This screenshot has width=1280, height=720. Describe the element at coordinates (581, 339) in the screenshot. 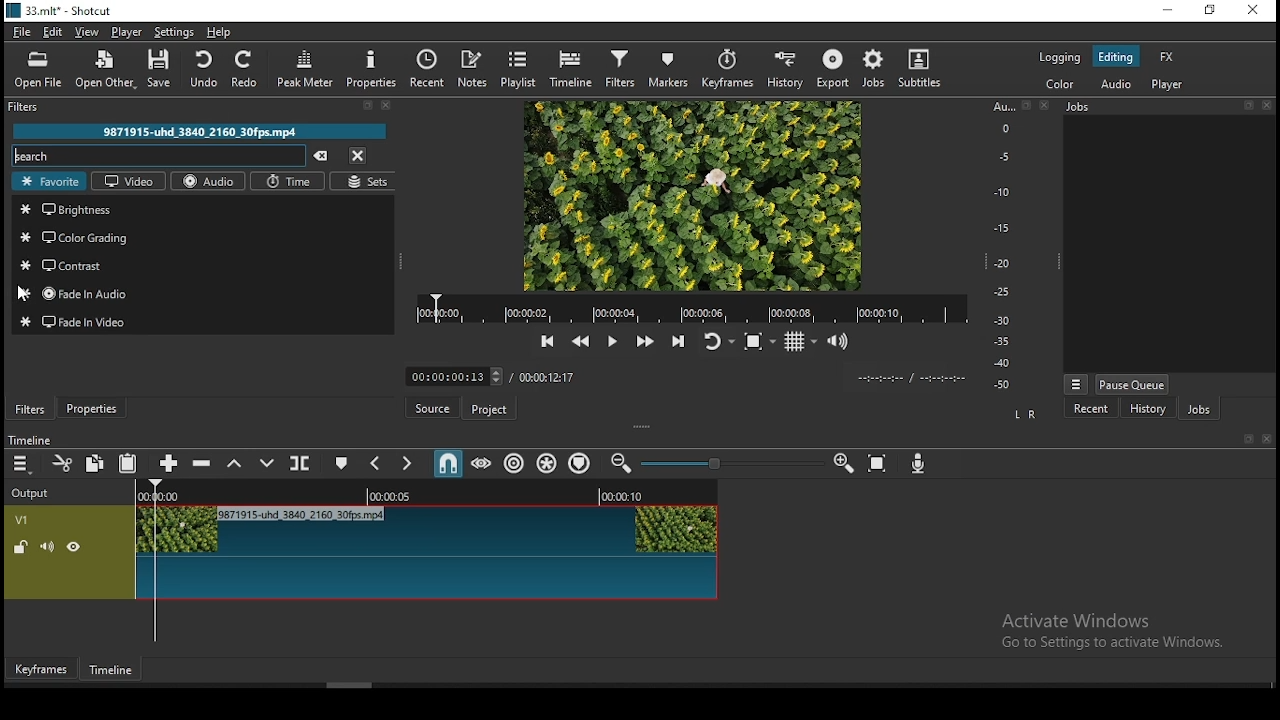

I see `play quickly backwards` at that location.